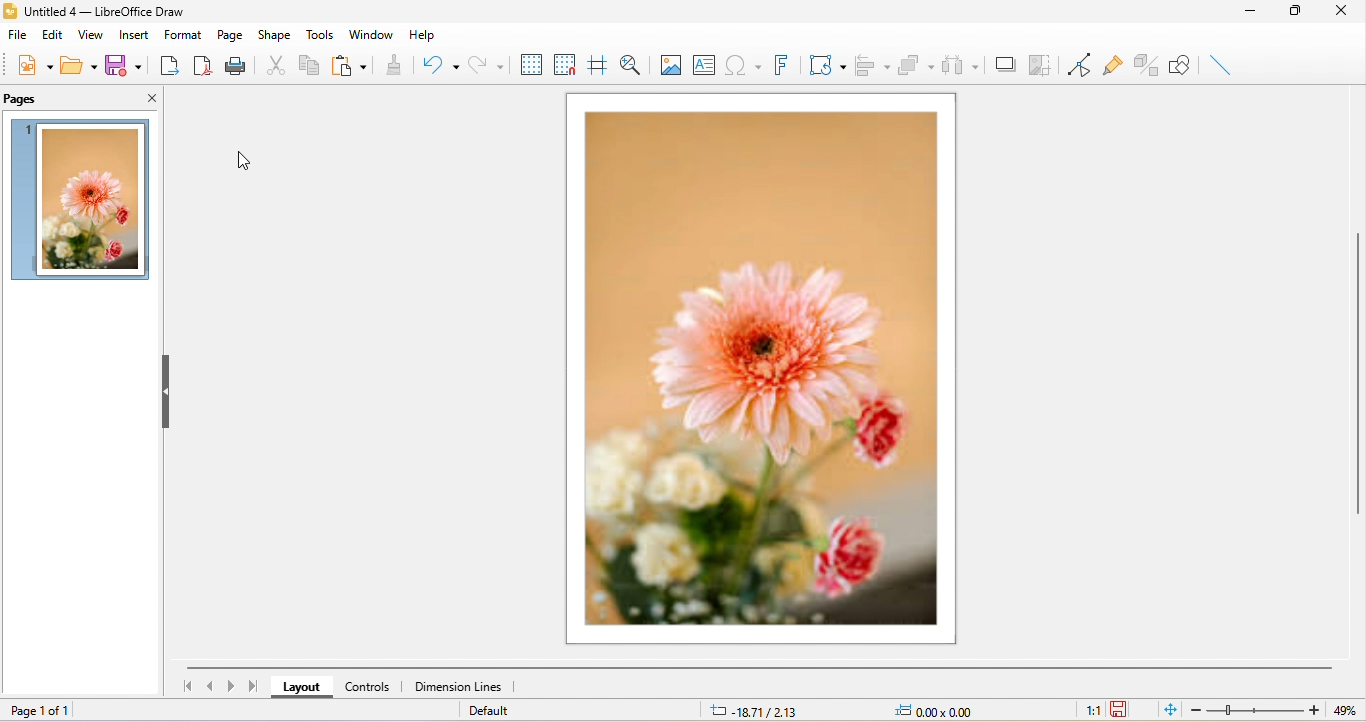 This screenshot has width=1366, height=722. I want to click on last page, so click(255, 689).